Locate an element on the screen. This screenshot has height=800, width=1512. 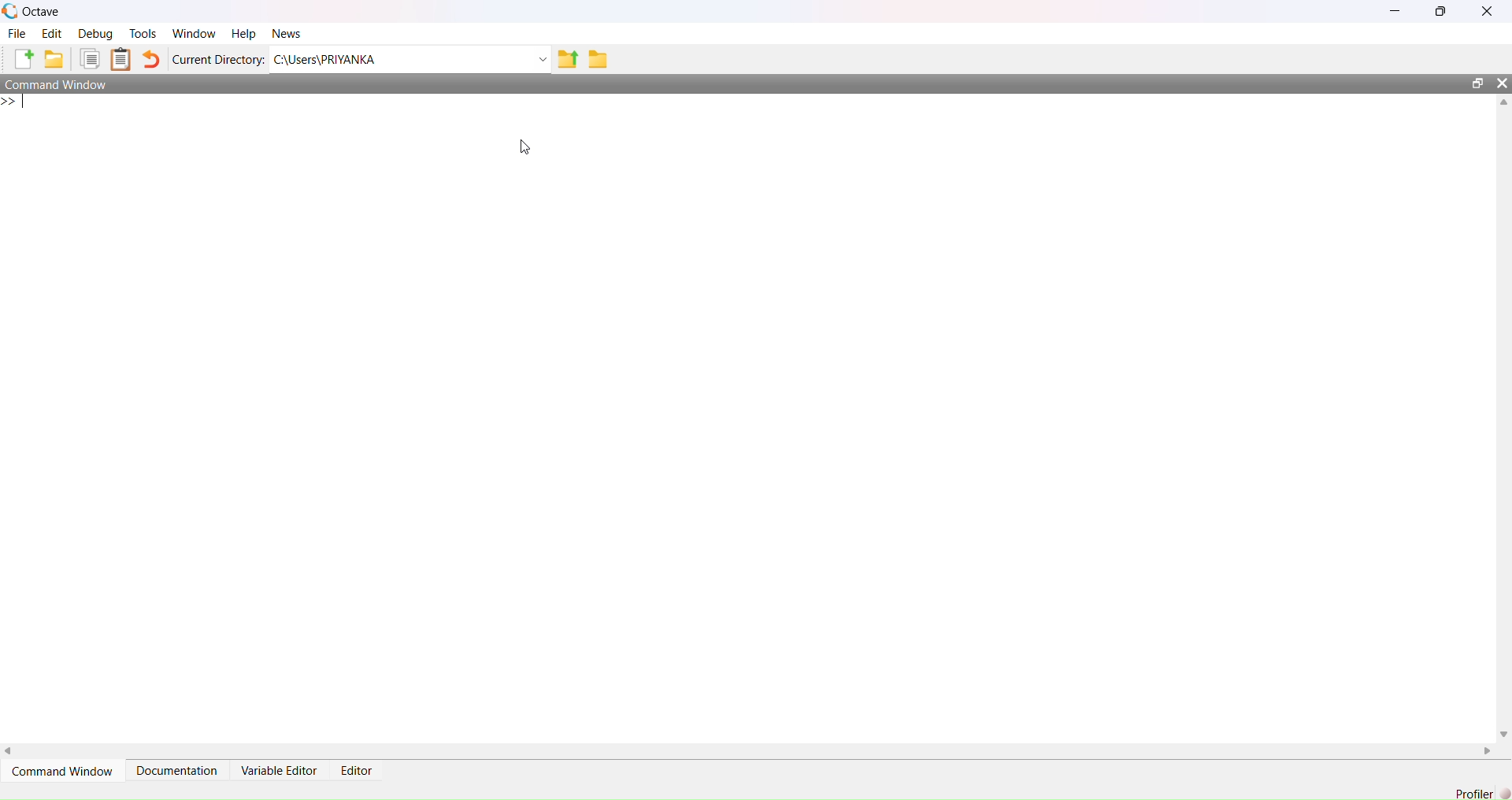
one directory up is located at coordinates (567, 57).